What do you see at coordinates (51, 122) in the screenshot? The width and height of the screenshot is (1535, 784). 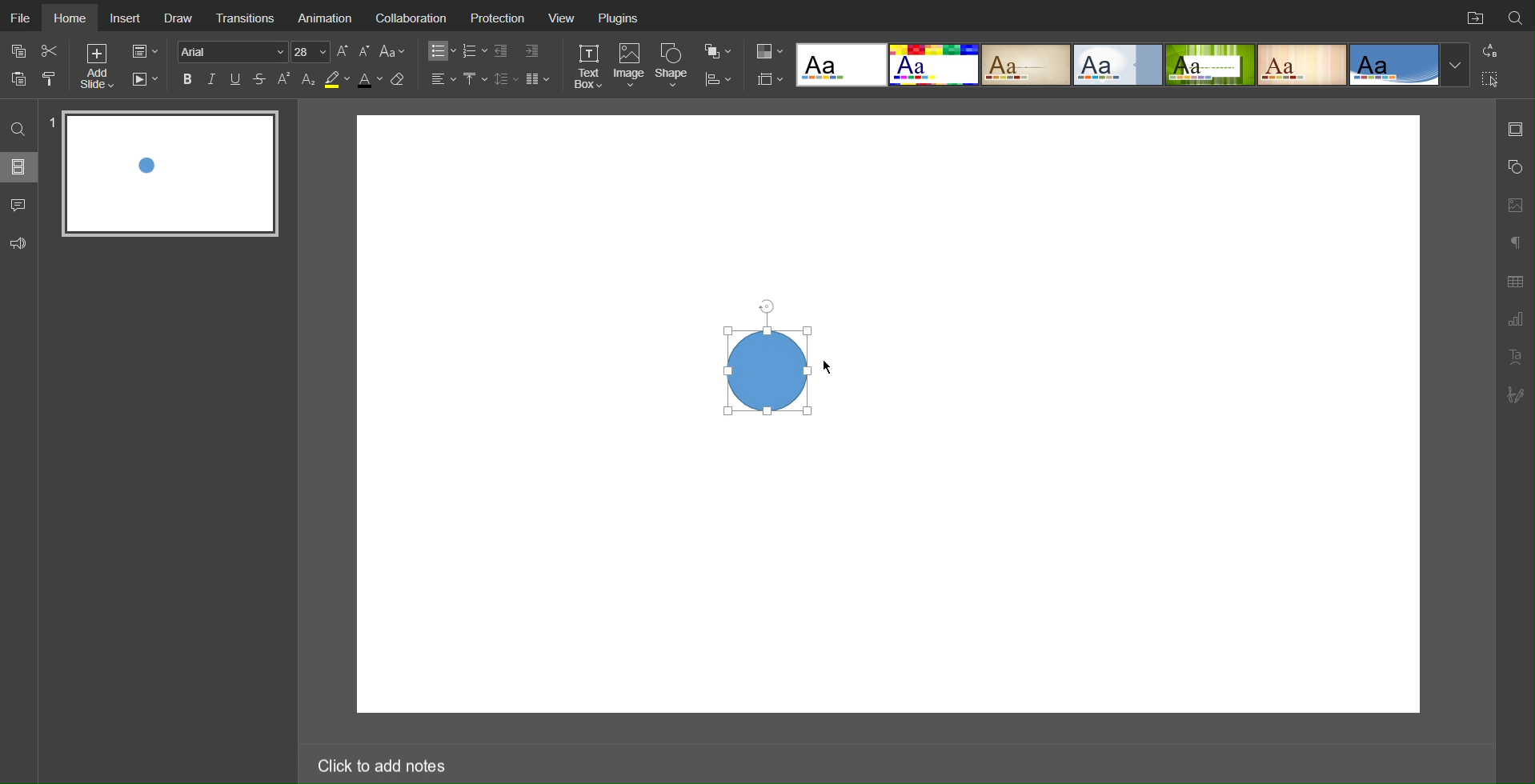 I see `slide number` at bounding box center [51, 122].